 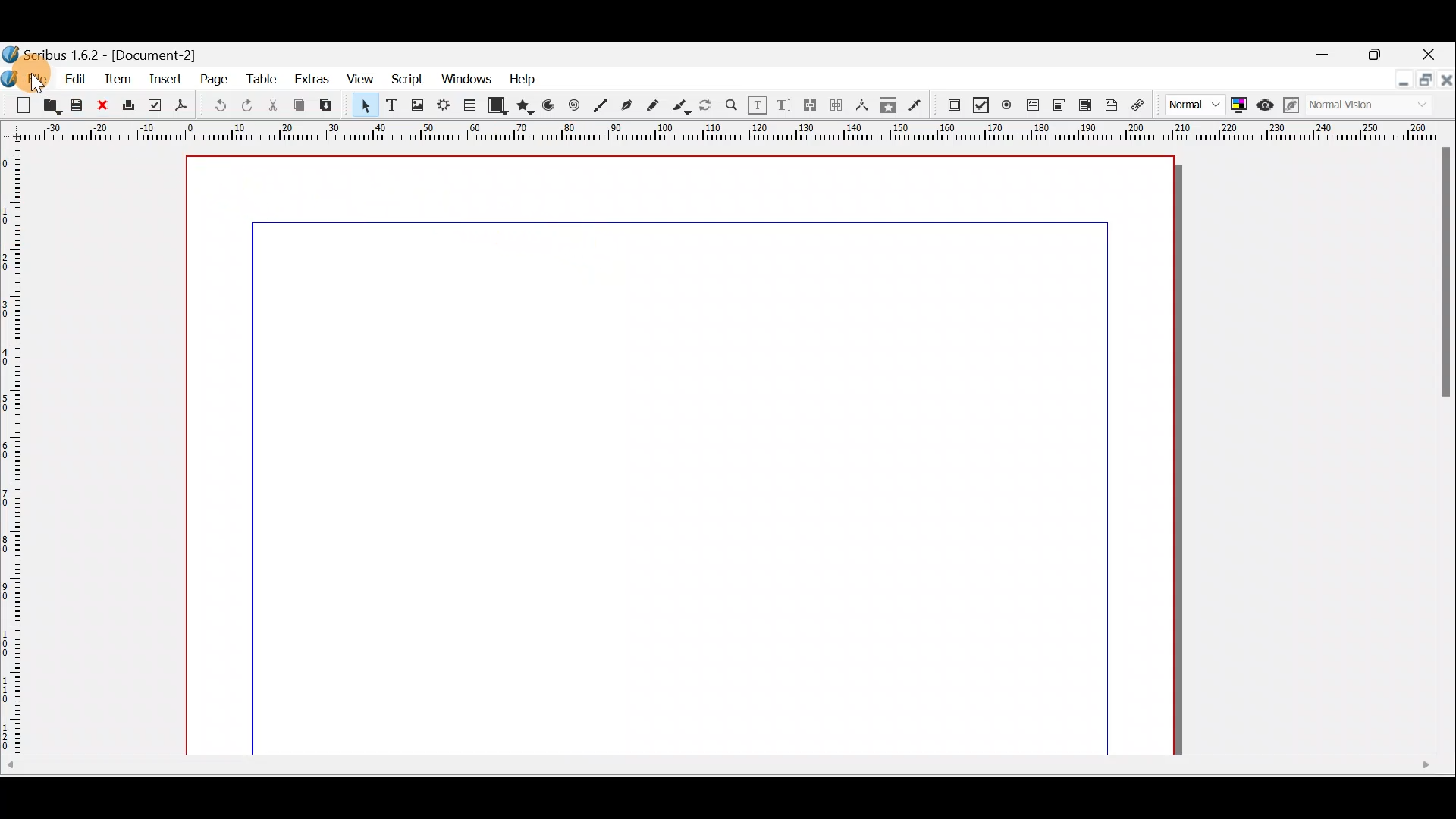 I want to click on Windows, so click(x=469, y=81).